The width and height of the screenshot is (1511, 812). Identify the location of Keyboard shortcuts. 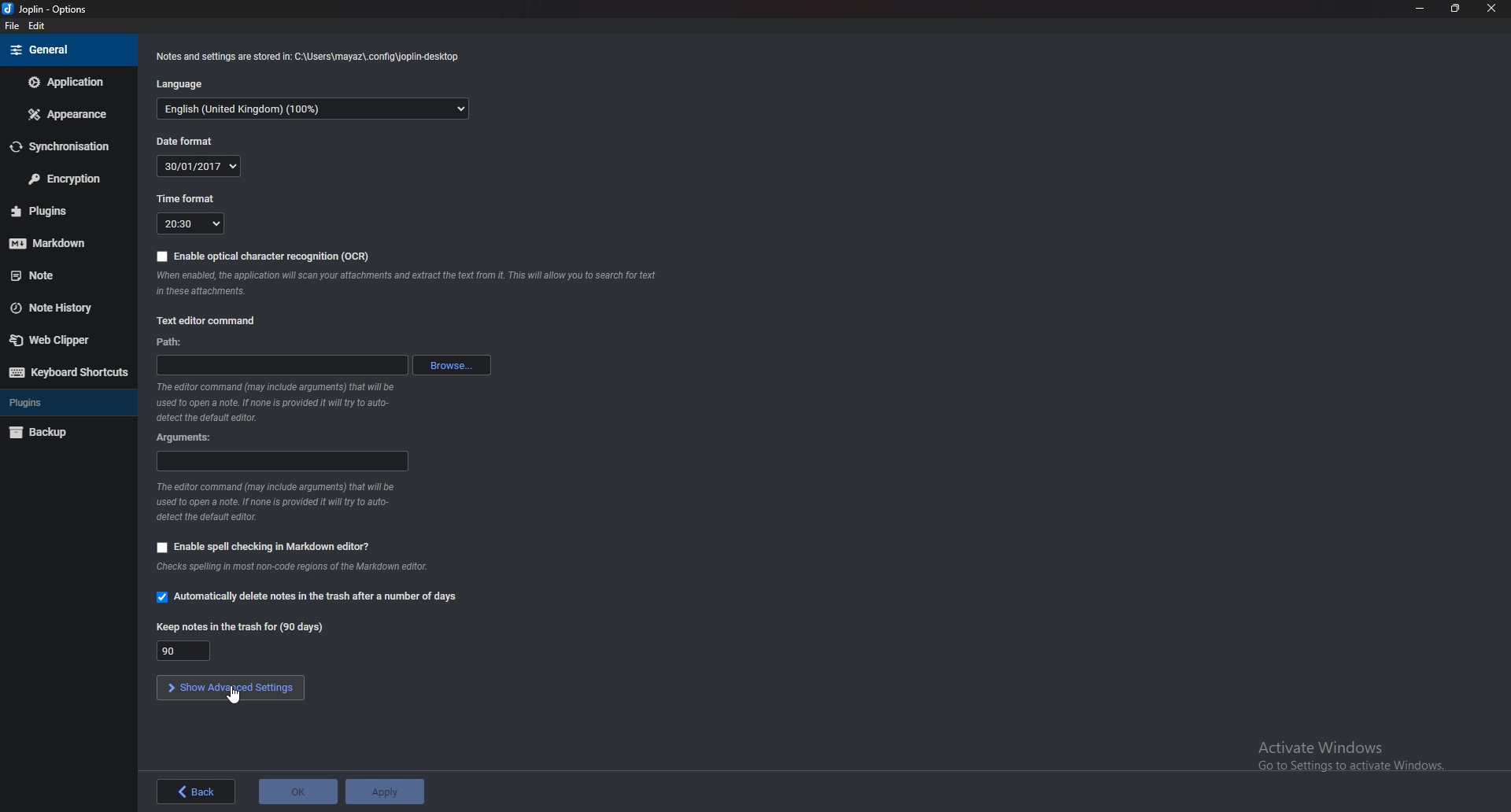
(68, 372).